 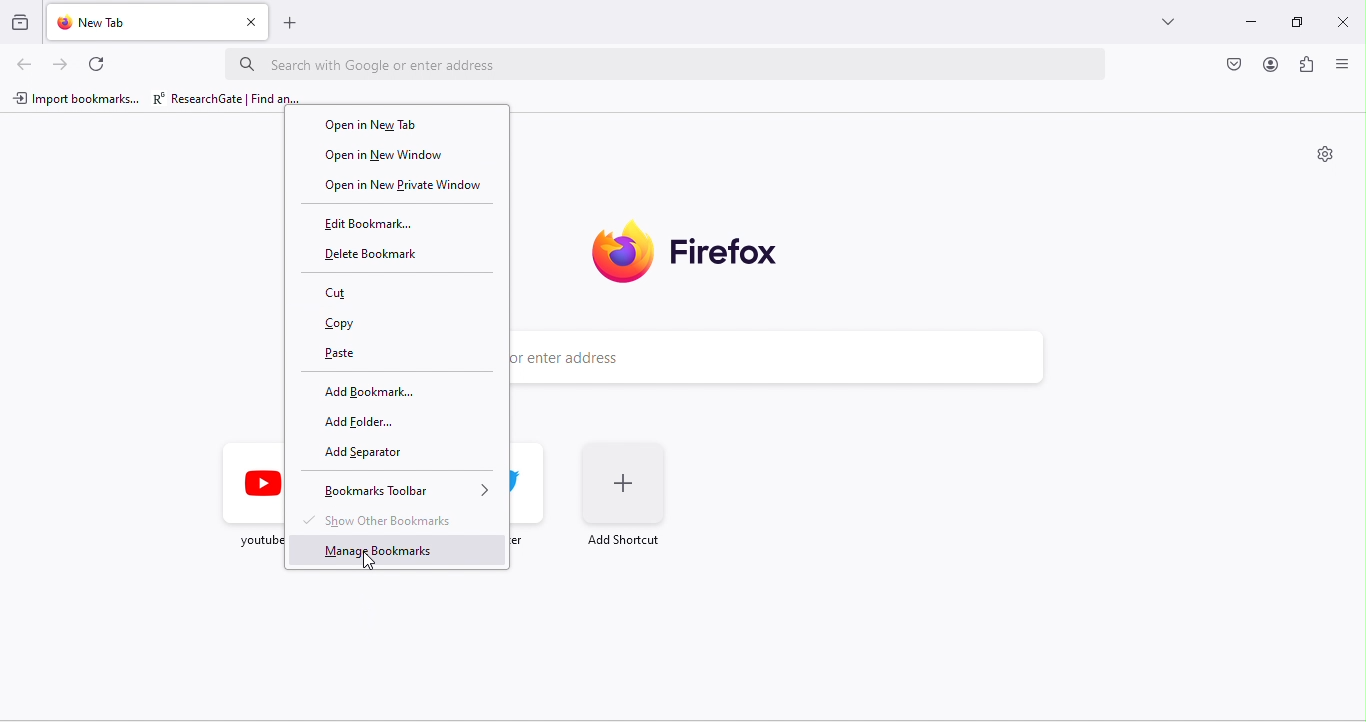 I want to click on more, so click(x=1165, y=22).